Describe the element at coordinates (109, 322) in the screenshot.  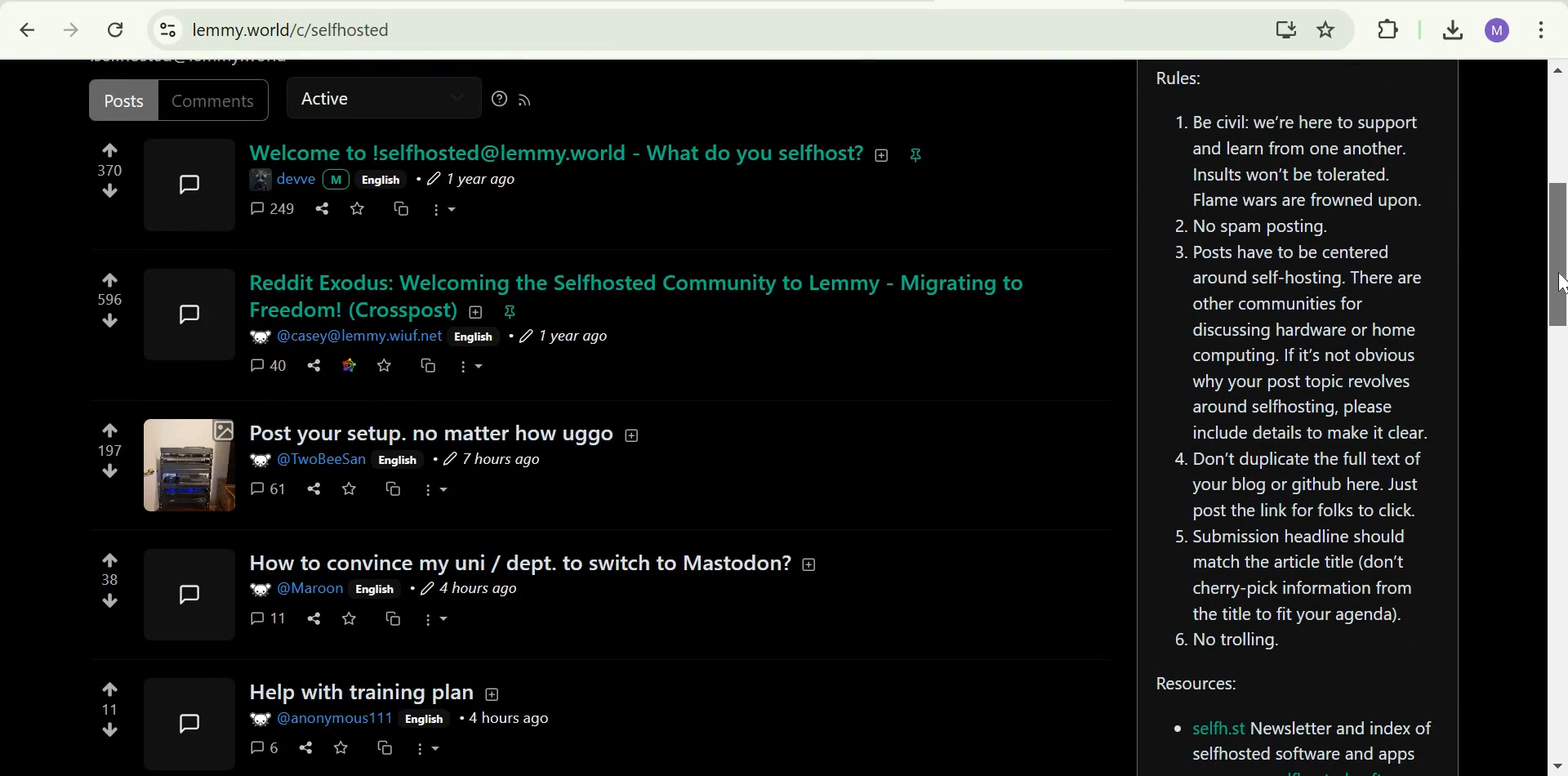
I see `downvote` at that location.